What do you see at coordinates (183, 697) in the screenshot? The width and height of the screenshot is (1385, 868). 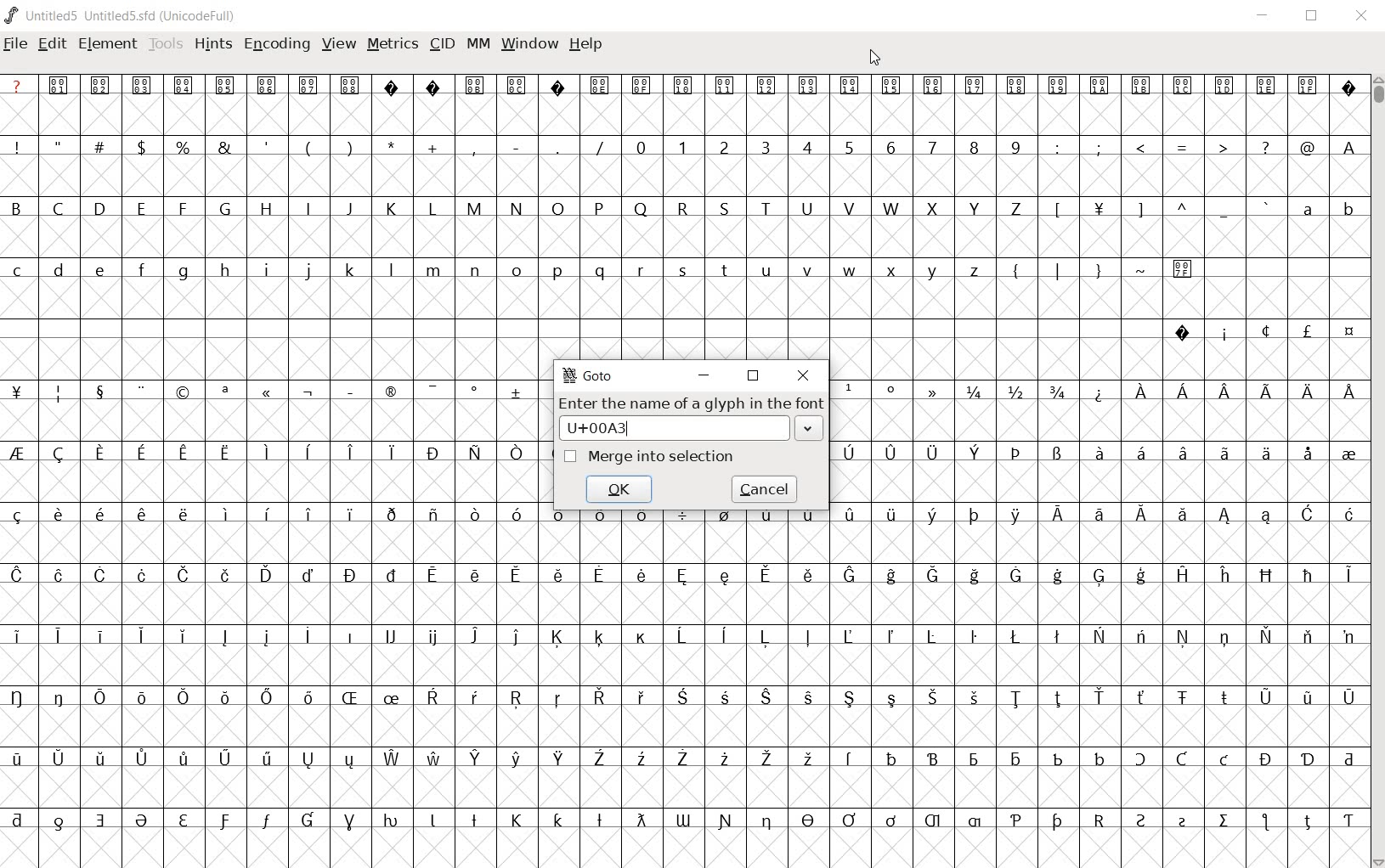 I see `Symbol` at bounding box center [183, 697].